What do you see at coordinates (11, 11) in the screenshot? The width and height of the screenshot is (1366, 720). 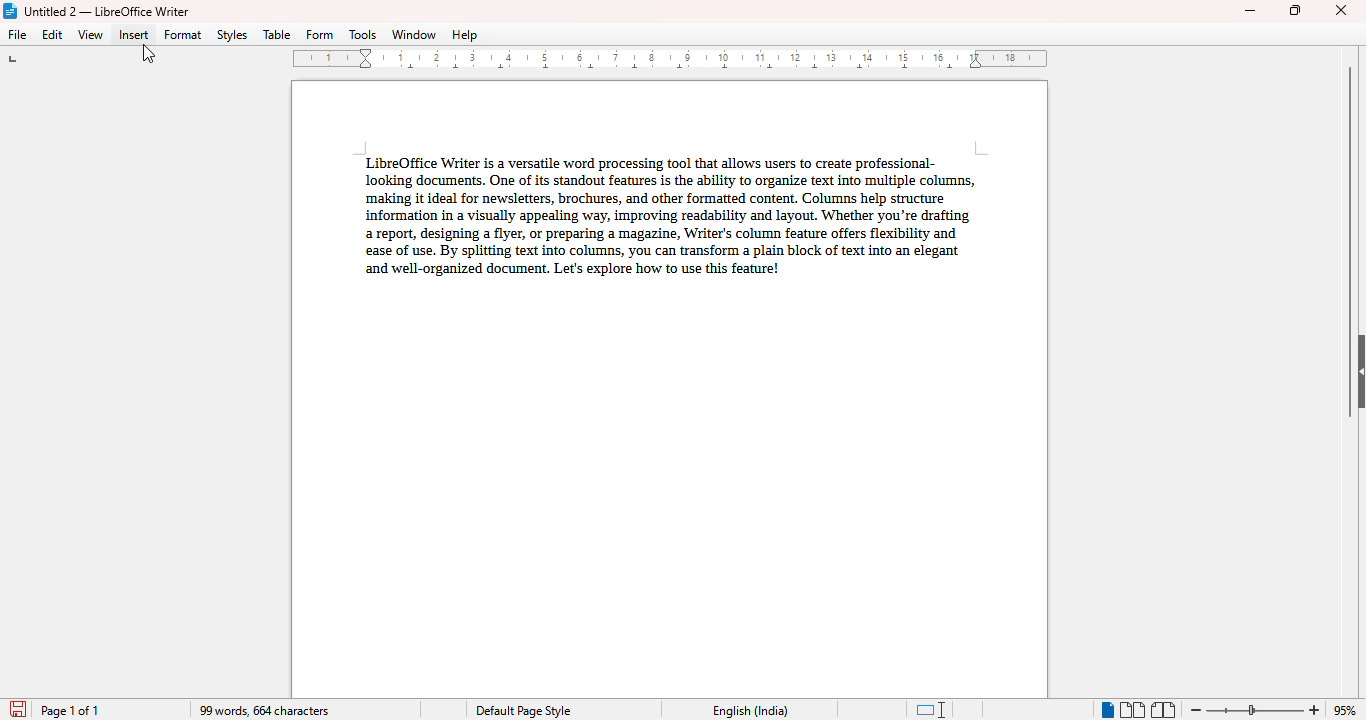 I see `LibreOffice logo` at bounding box center [11, 11].